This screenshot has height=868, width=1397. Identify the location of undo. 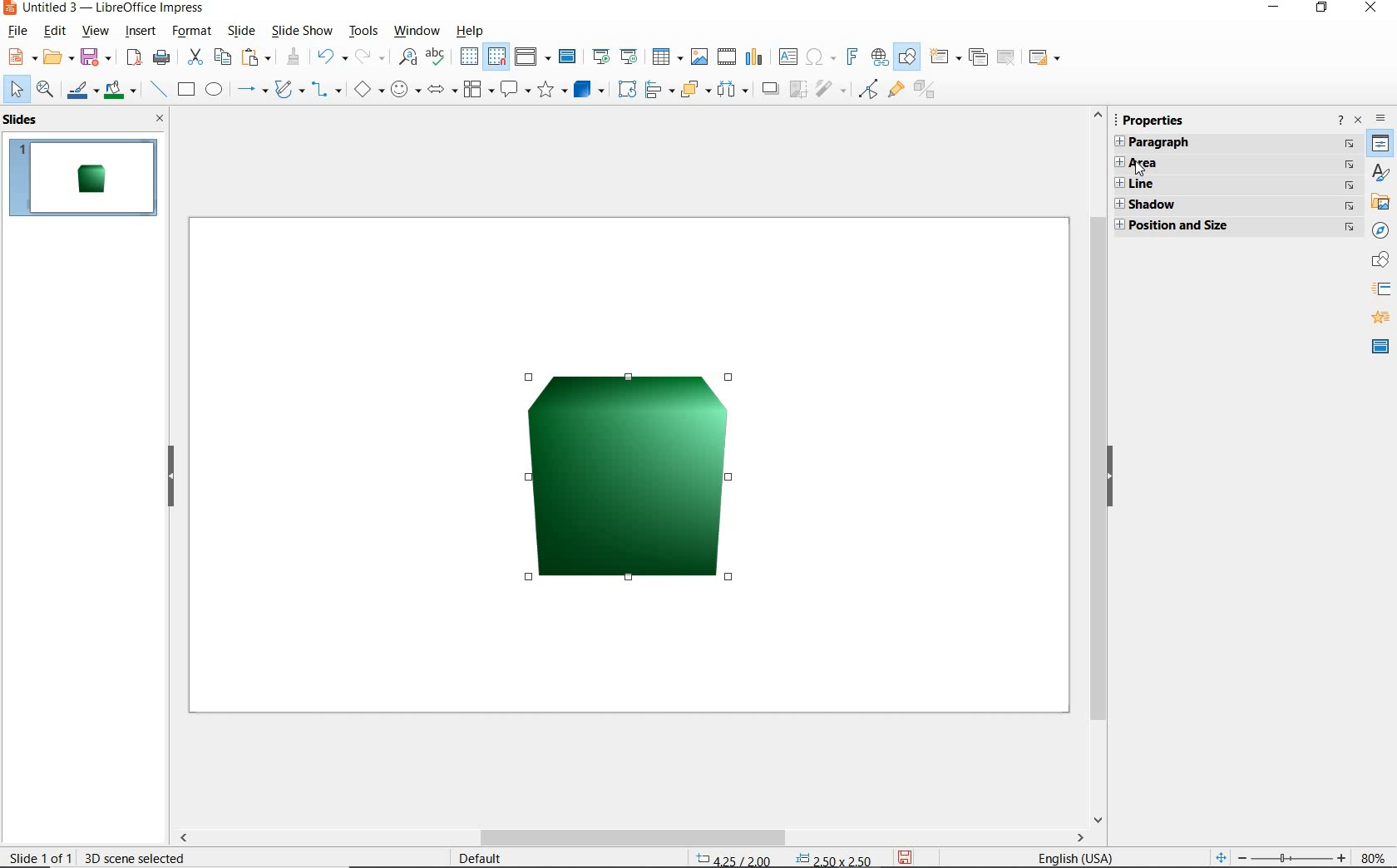
(333, 57).